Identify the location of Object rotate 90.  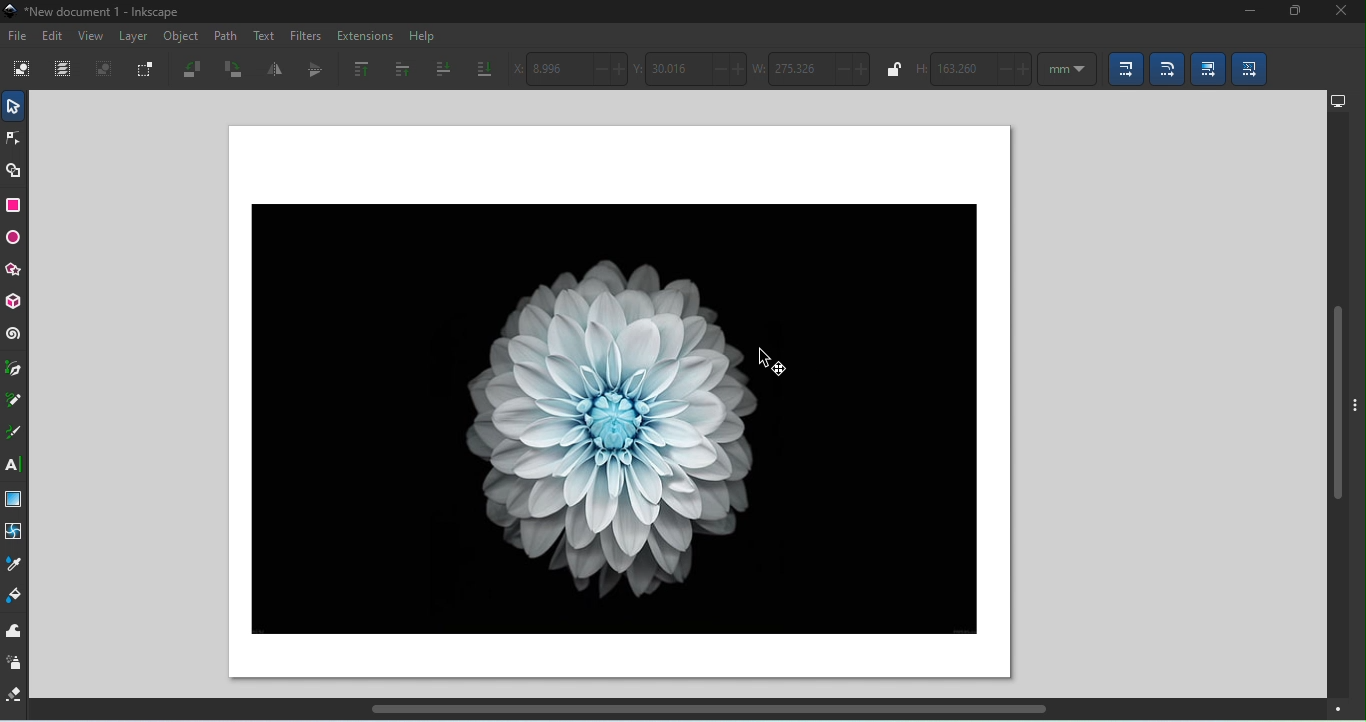
(233, 70).